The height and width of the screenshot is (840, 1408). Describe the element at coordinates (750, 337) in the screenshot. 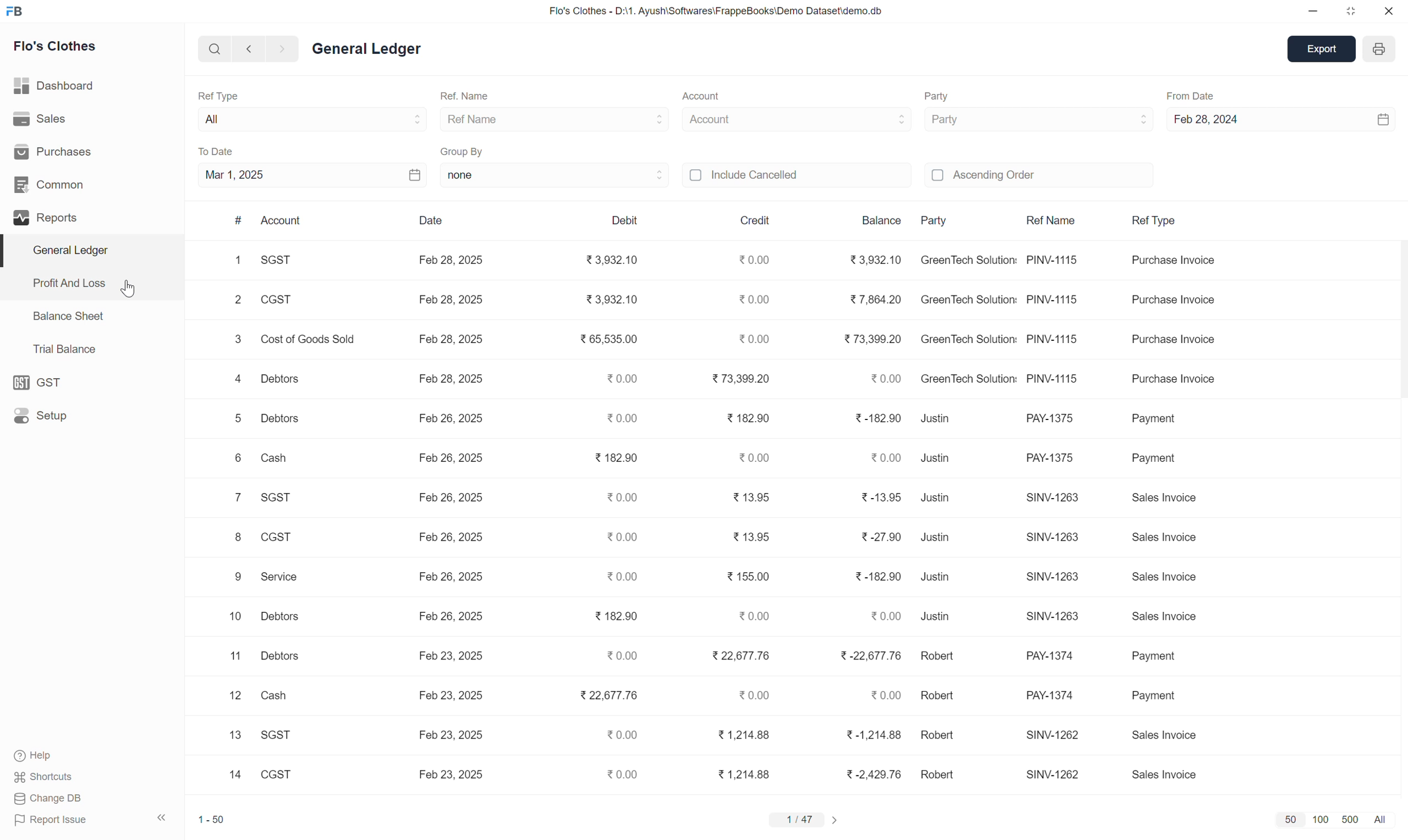

I see `₹0.00` at that location.